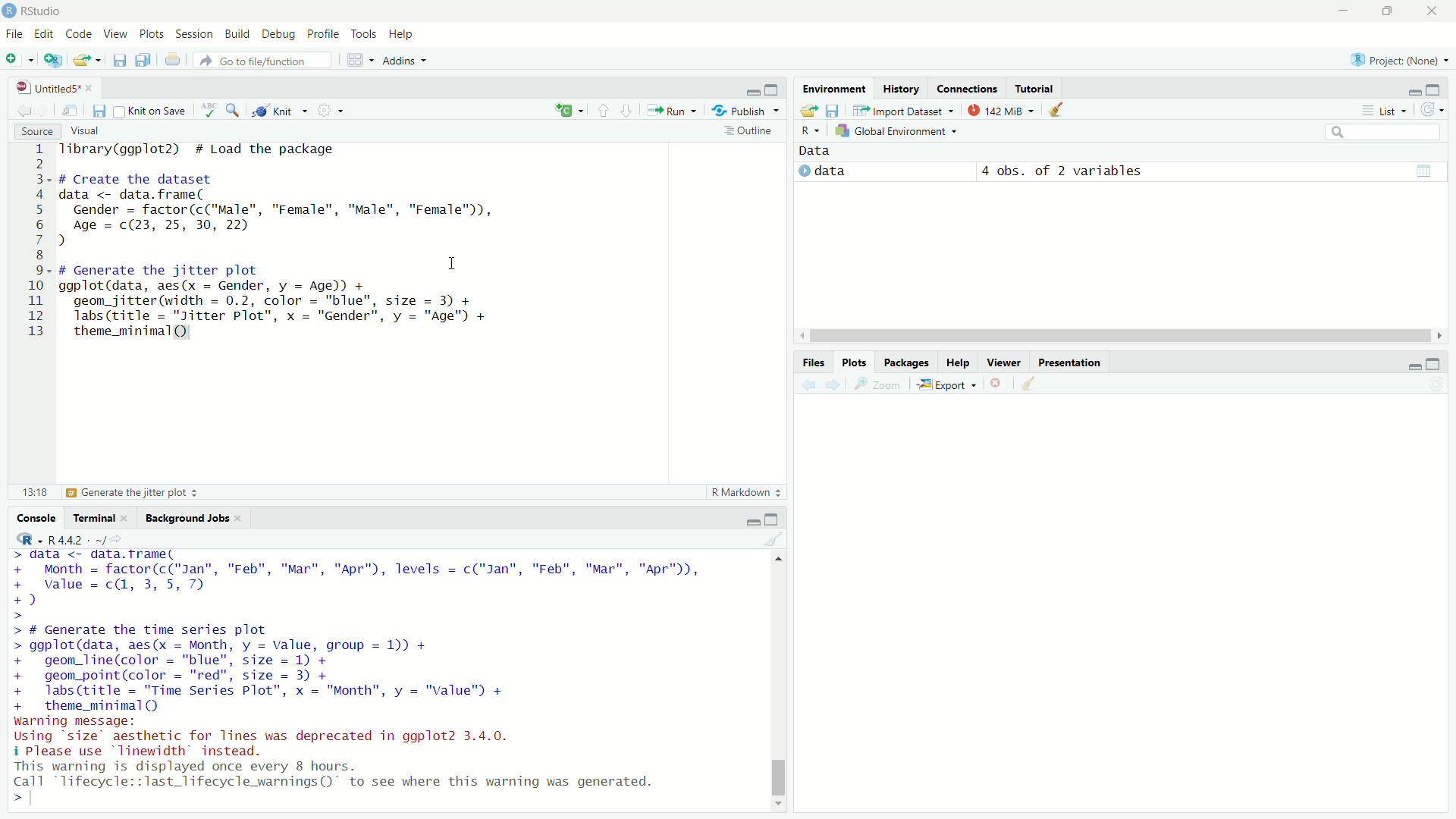 This screenshot has height=819, width=1456. I want to click on plots, so click(152, 32).